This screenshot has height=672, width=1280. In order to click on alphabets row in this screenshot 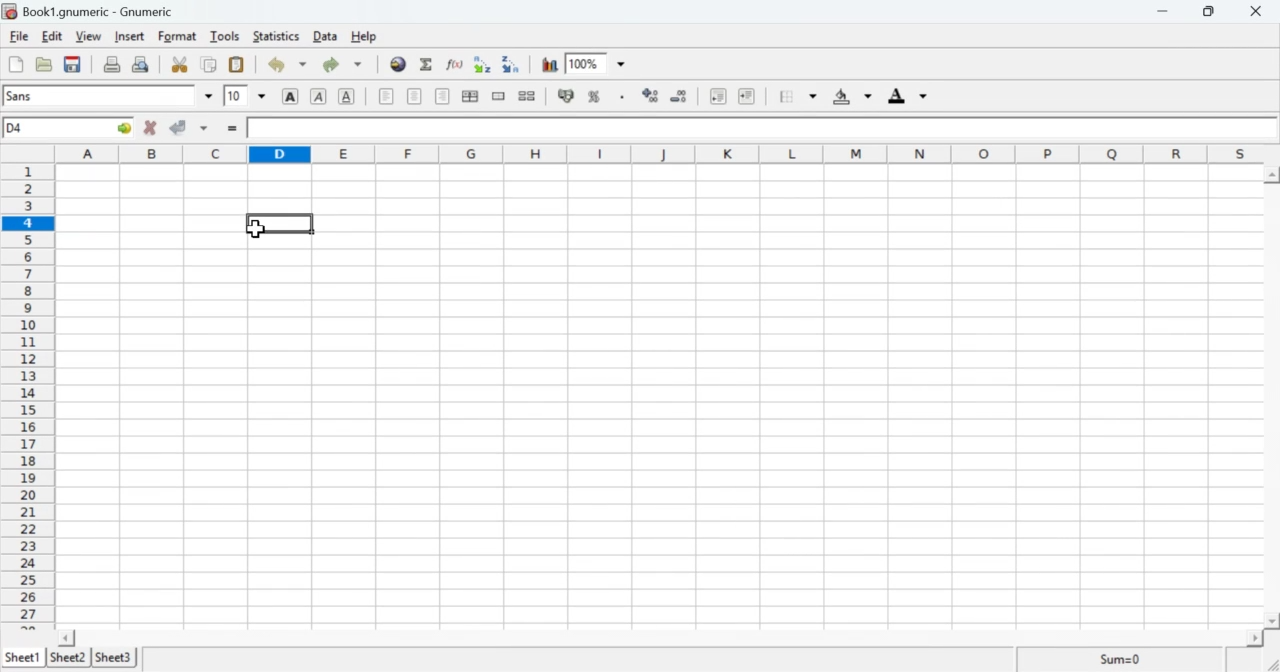, I will do `click(655, 153)`.